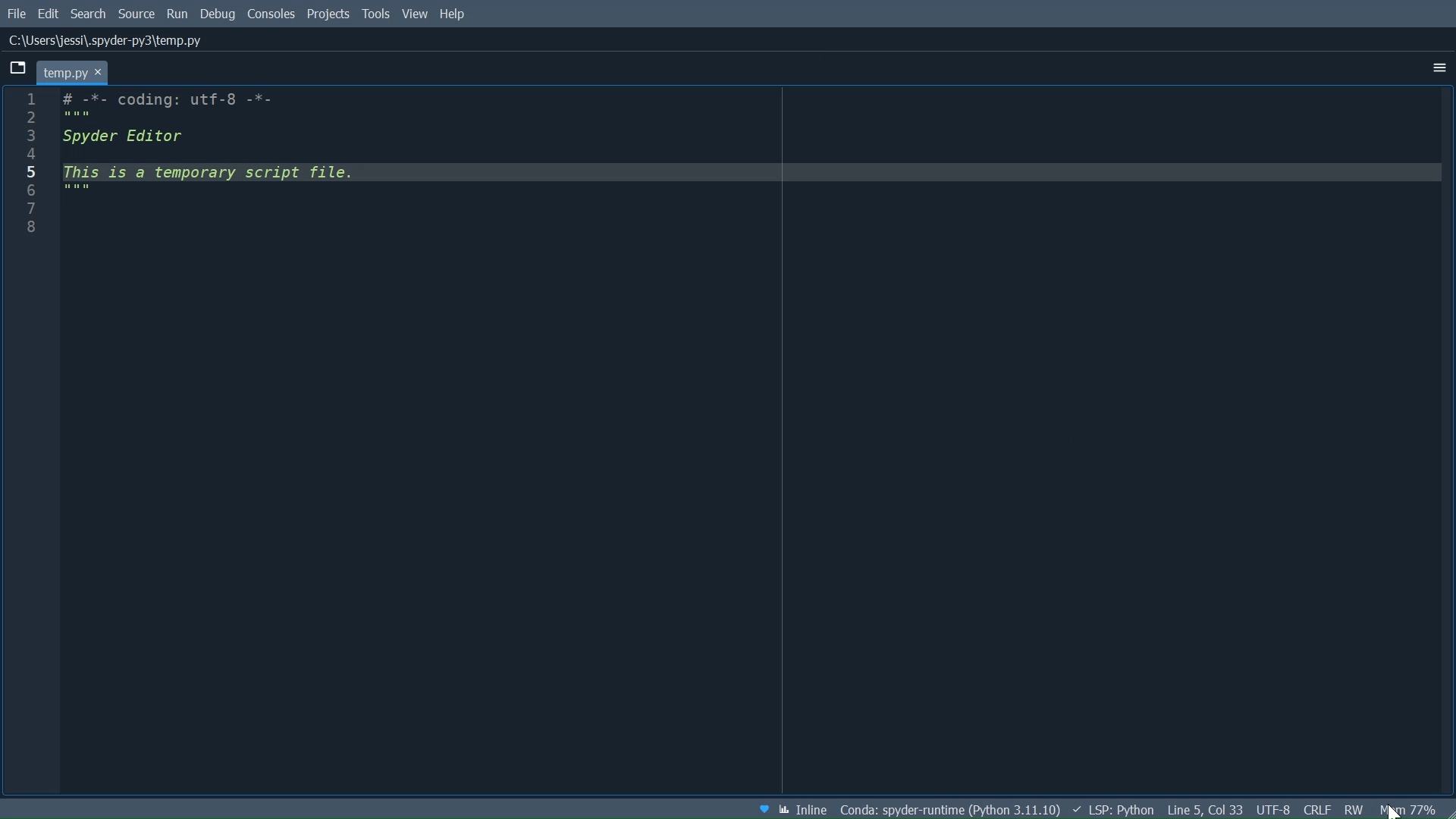 This screenshot has height=819, width=1456. I want to click on Source, so click(137, 14).